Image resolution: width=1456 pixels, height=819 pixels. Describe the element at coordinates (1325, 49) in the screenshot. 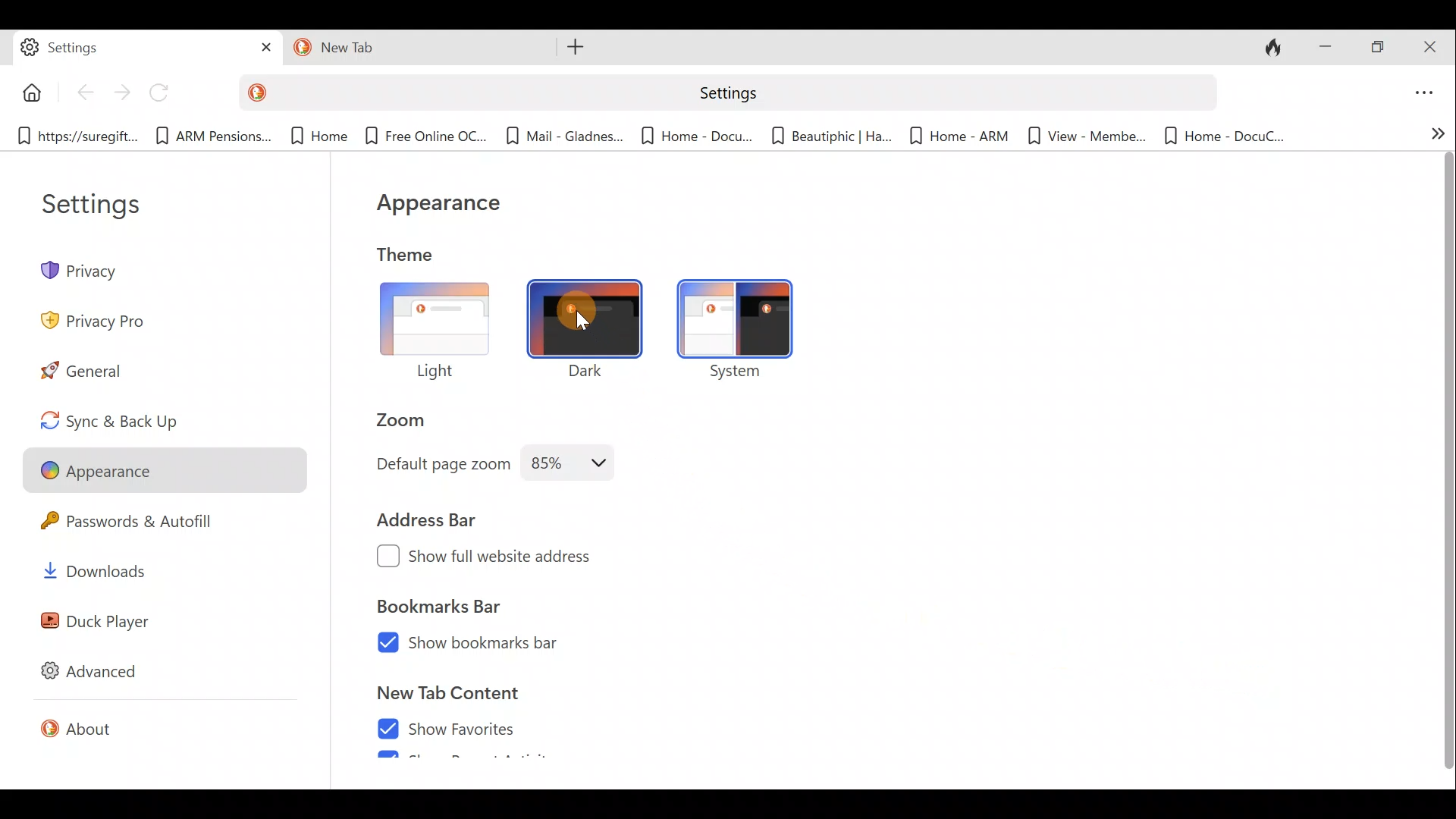

I see `Minimise` at that location.